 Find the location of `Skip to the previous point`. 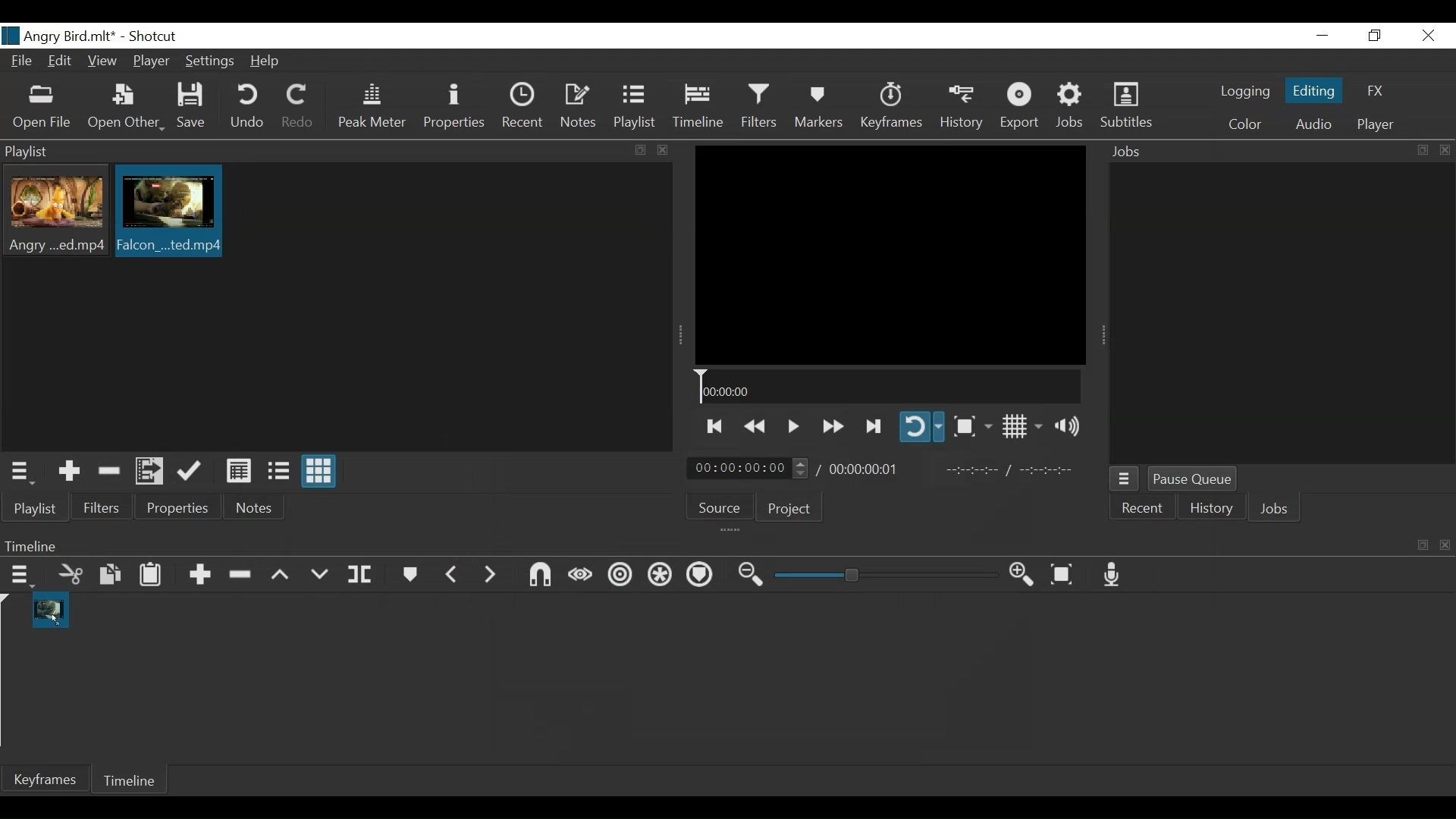

Skip to the previous point is located at coordinates (716, 426).